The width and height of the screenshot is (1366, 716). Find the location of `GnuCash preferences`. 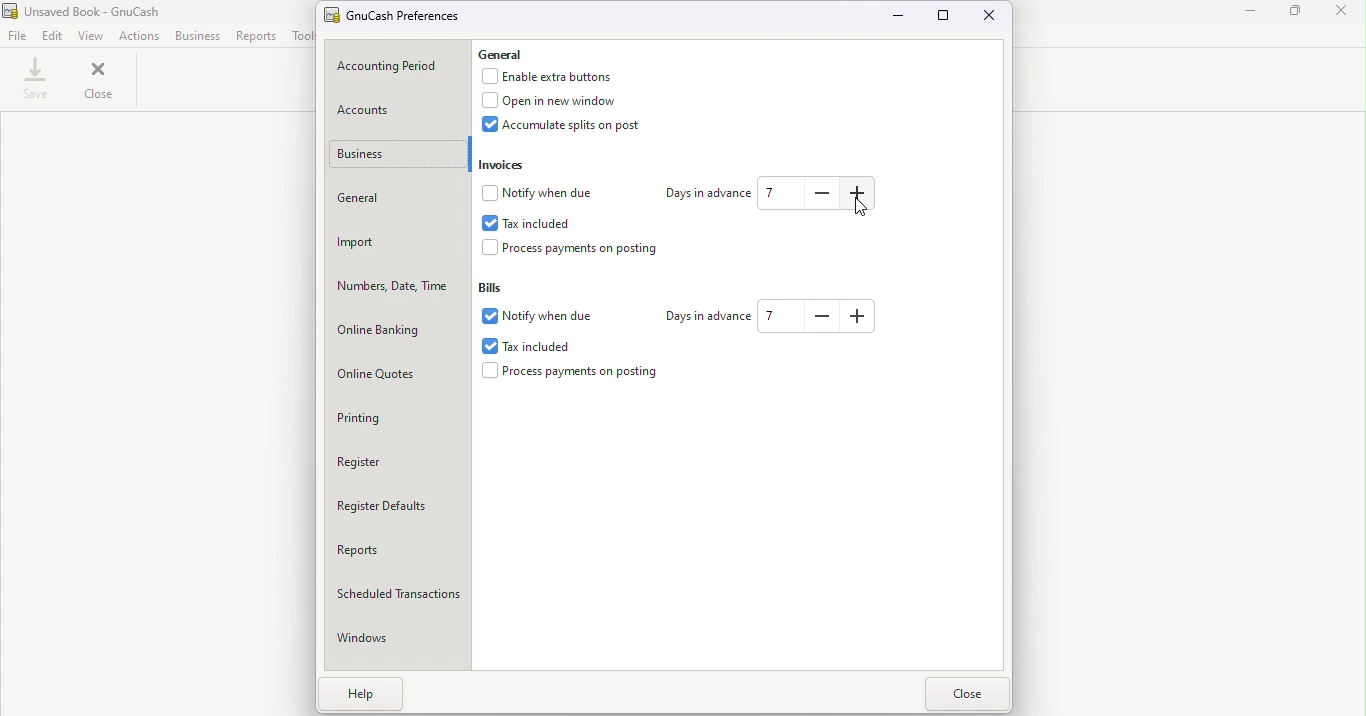

GnuCash preferences is located at coordinates (397, 15).